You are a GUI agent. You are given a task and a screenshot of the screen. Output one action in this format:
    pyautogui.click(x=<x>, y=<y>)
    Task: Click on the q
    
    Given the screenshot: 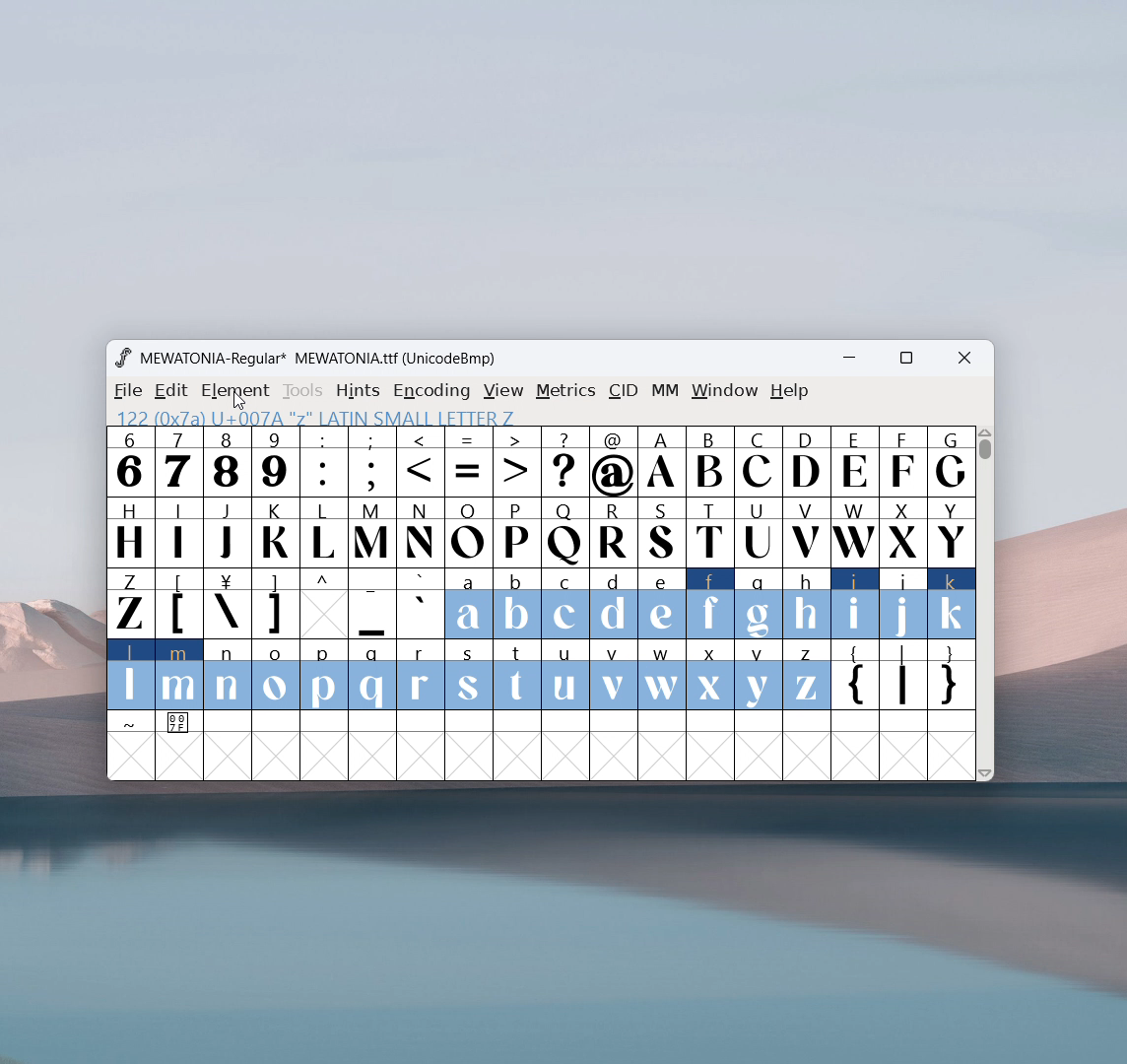 What is the action you would take?
    pyautogui.click(x=372, y=676)
    